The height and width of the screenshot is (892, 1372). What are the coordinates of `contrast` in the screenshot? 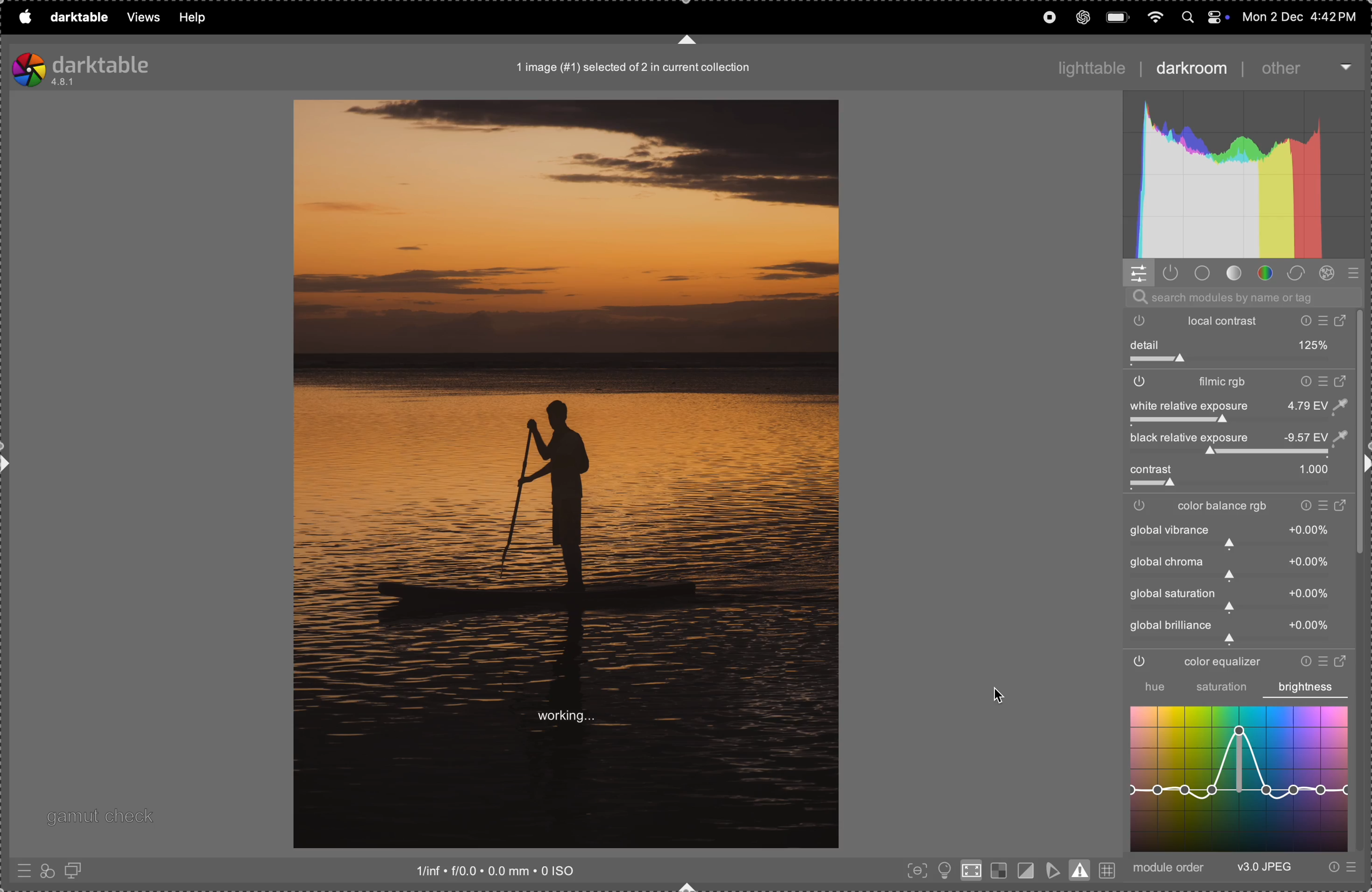 It's located at (1234, 470).